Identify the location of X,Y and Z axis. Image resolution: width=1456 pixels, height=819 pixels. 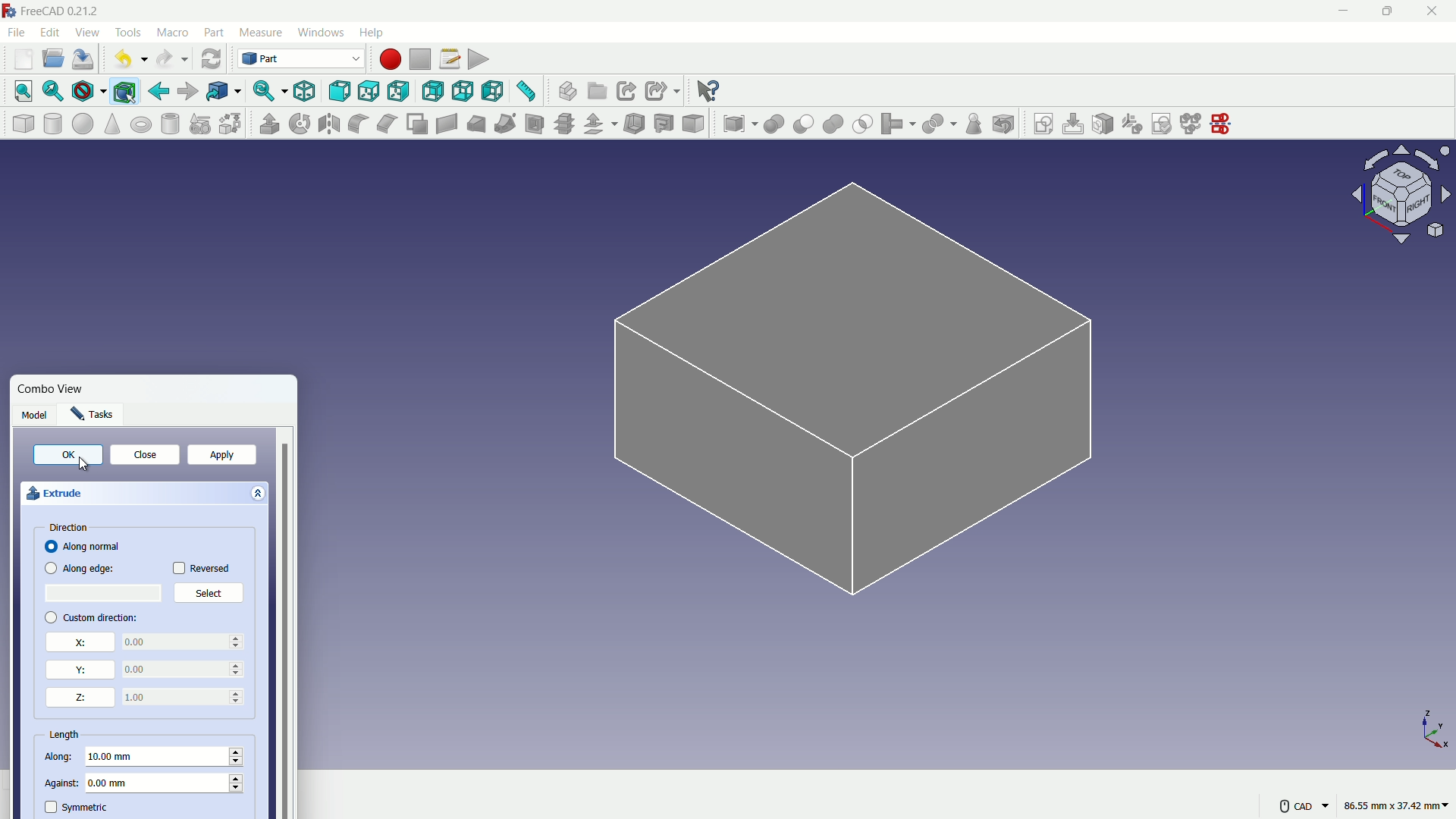
(1423, 727).